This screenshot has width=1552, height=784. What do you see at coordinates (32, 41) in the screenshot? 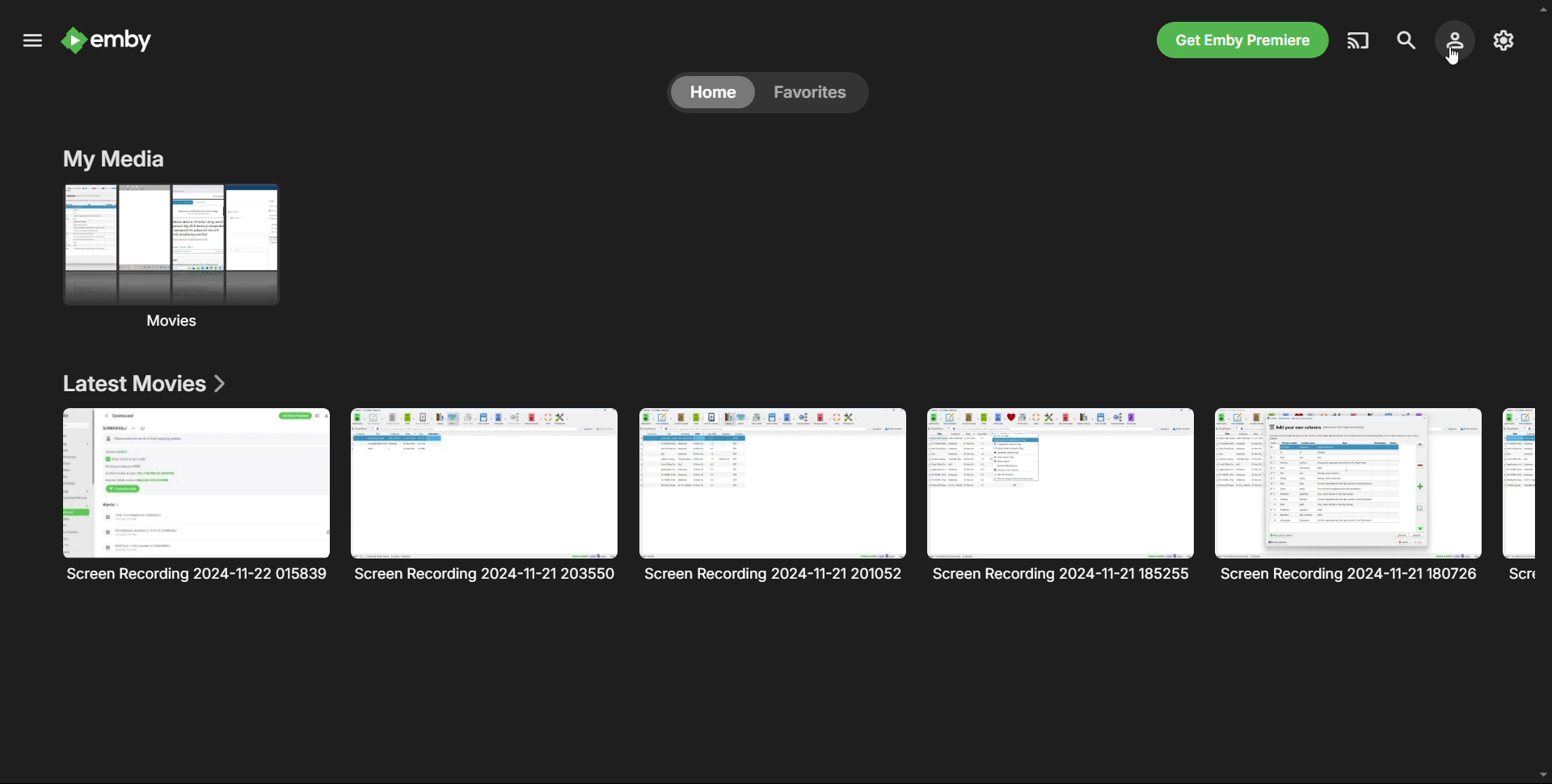
I see `menu` at bounding box center [32, 41].